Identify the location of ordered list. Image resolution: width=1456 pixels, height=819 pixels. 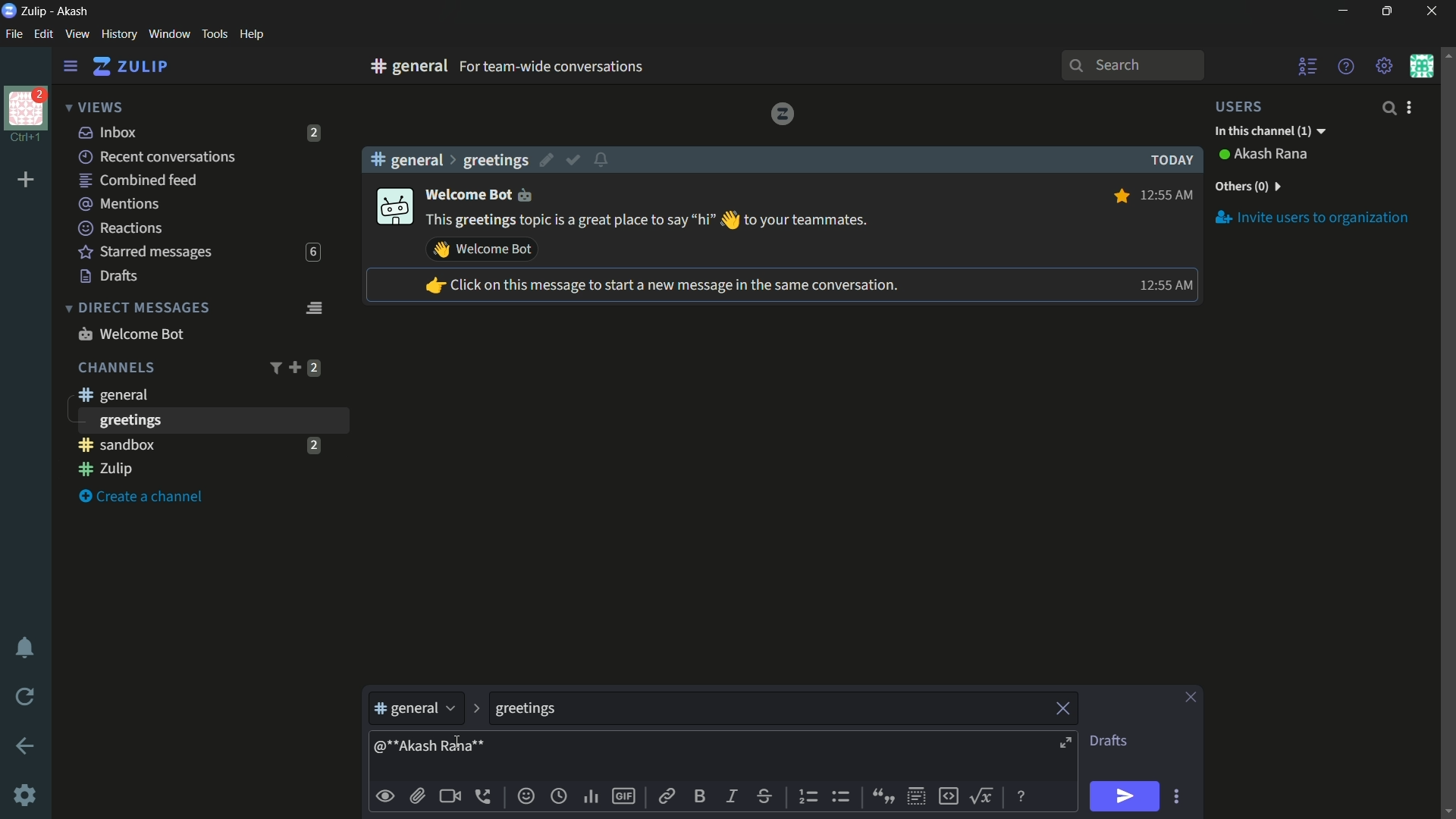
(811, 797).